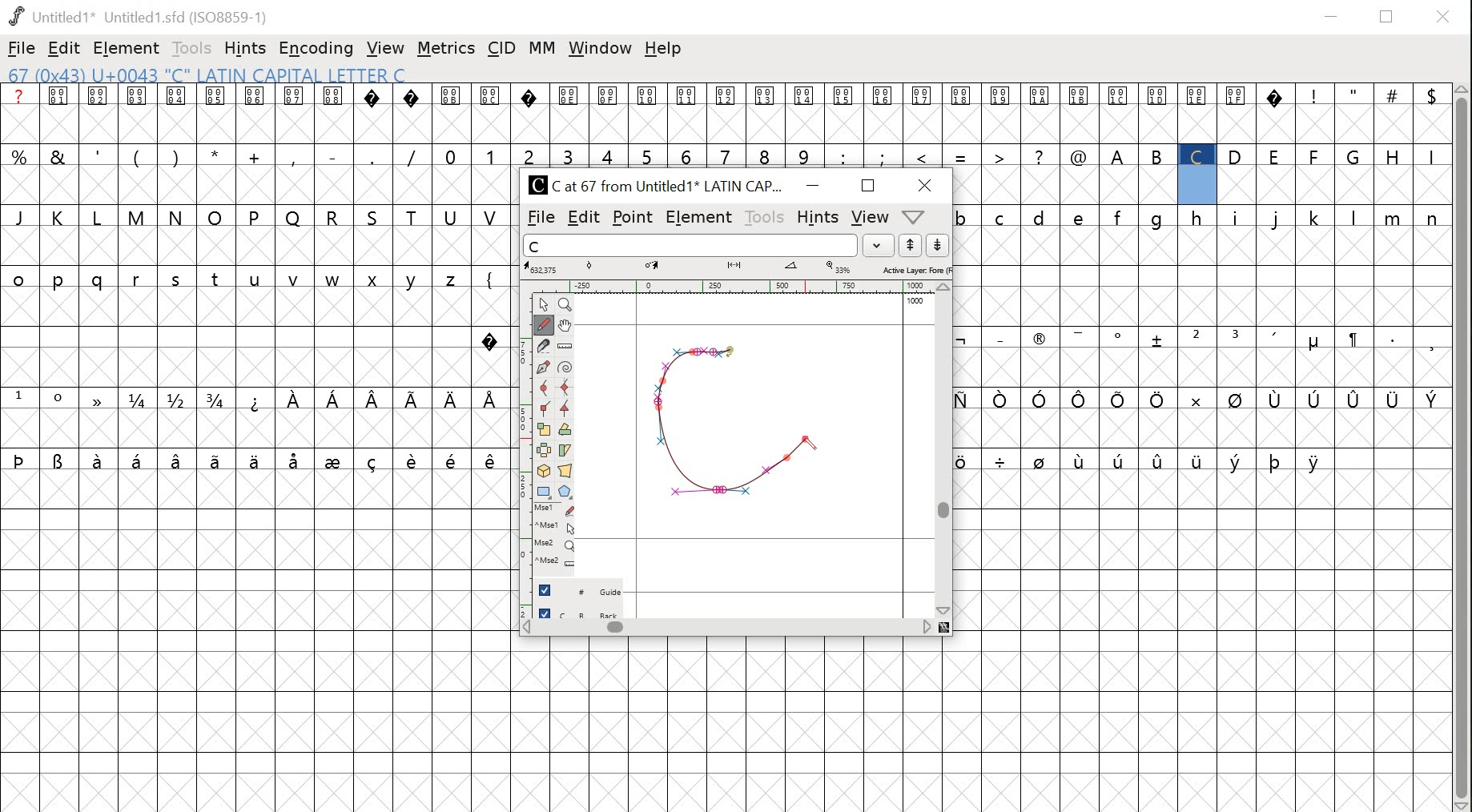  What do you see at coordinates (582, 589) in the screenshot?
I see `guide layer` at bounding box center [582, 589].